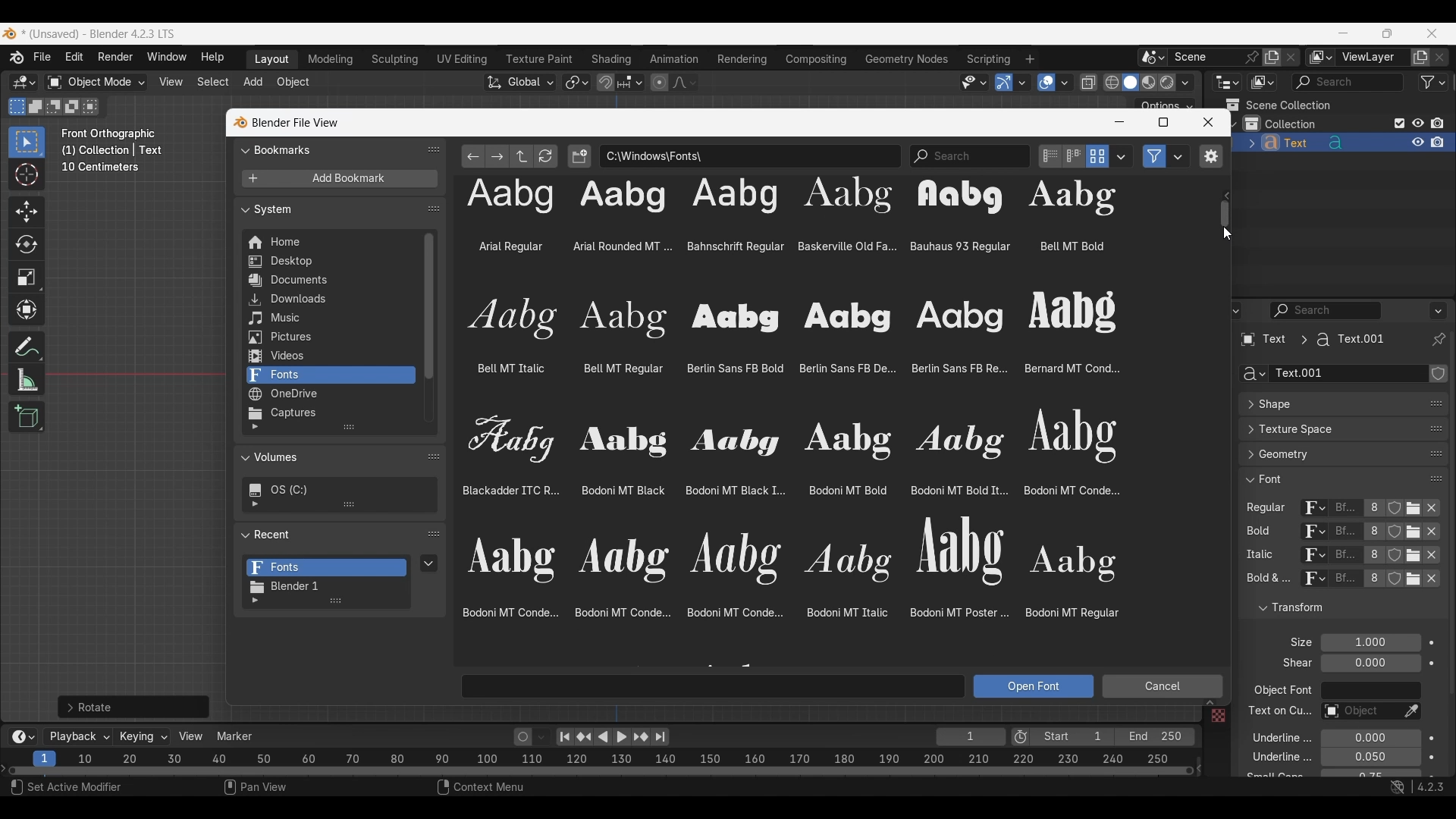 The image size is (1456, 819). What do you see at coordinates (1328, 479) in the screenshot?
I see `Click to collapse Font` at bounding box center [1328, 479].